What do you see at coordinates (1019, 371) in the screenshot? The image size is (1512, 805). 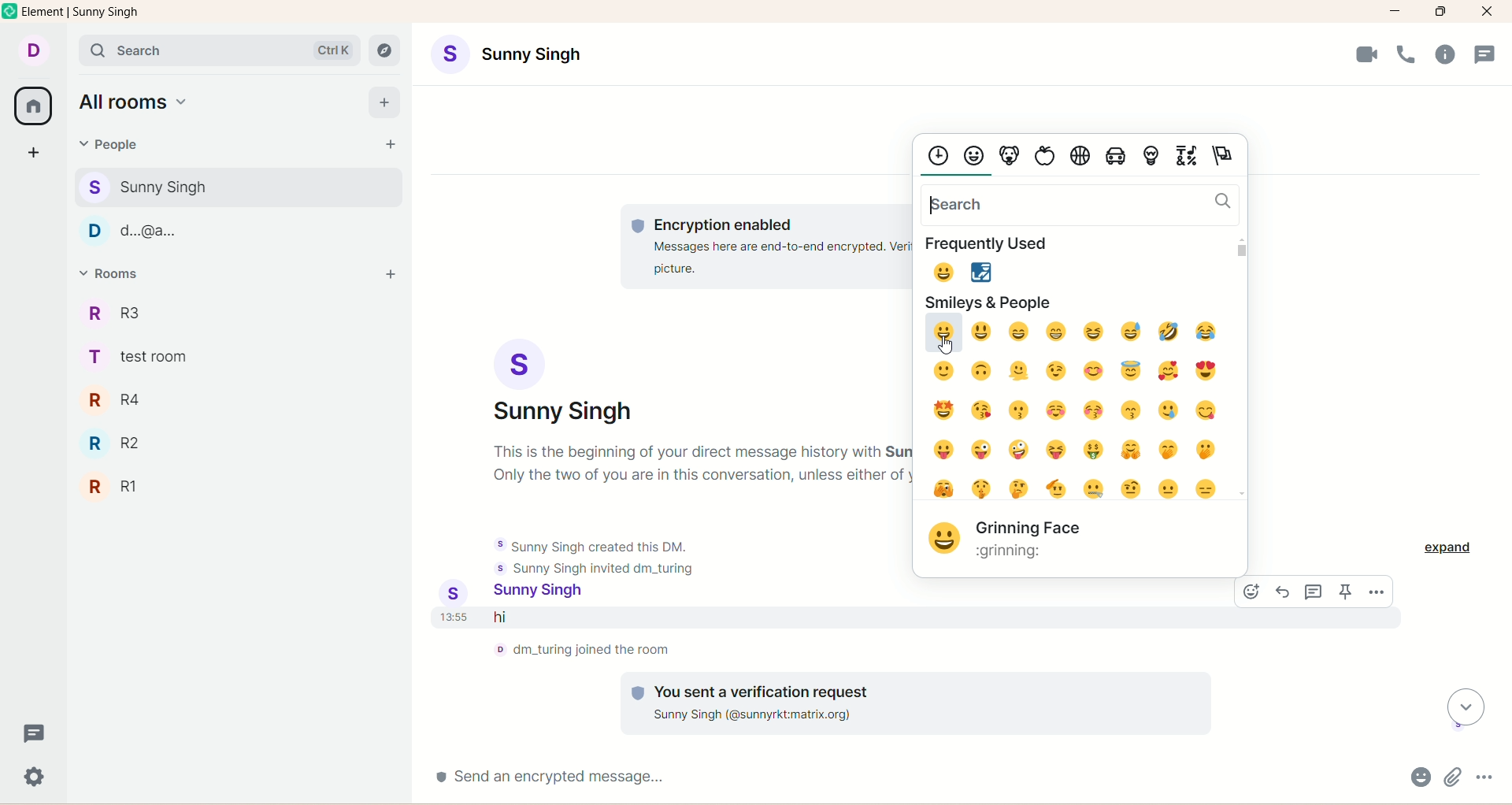 I see `Melting face` at bounding box center [1019, 371].